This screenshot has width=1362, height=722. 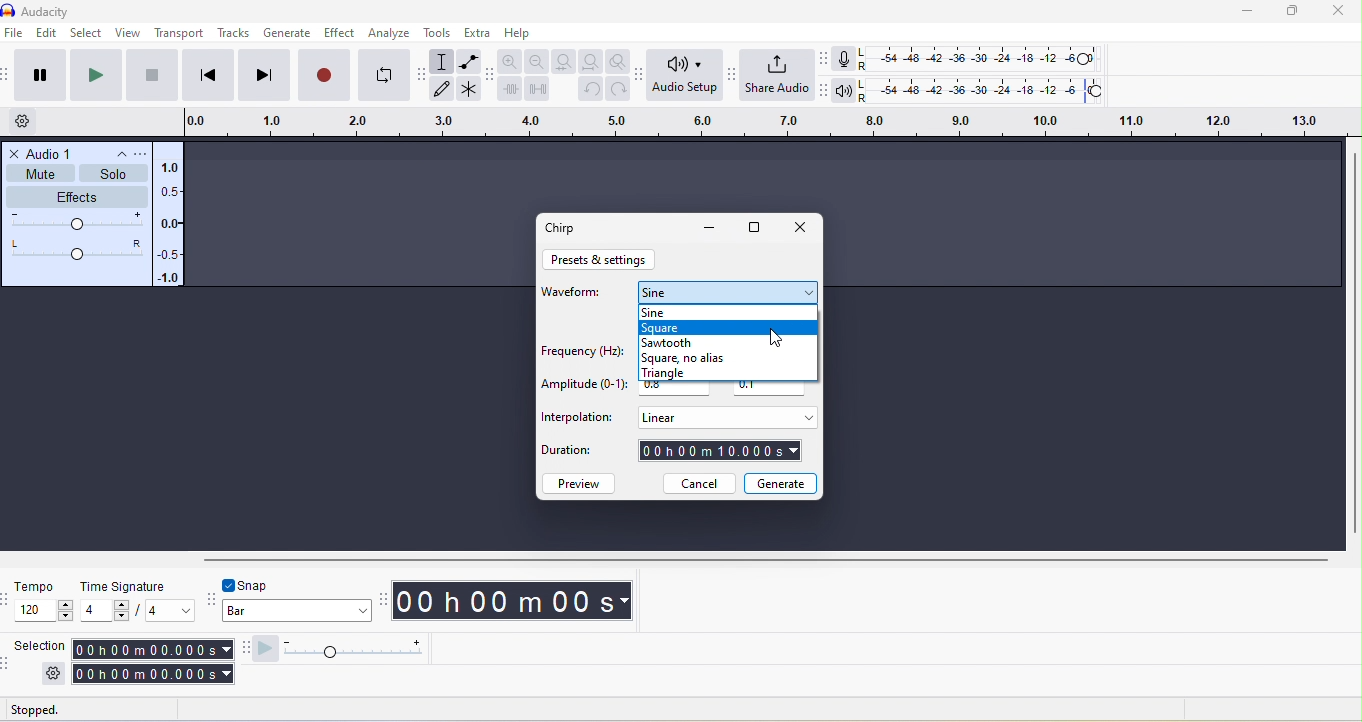 What do you see at coordinates (824, 88) in the screenshot?
I see `audacity playback meter toolbar` at bounding box center [824, 88].